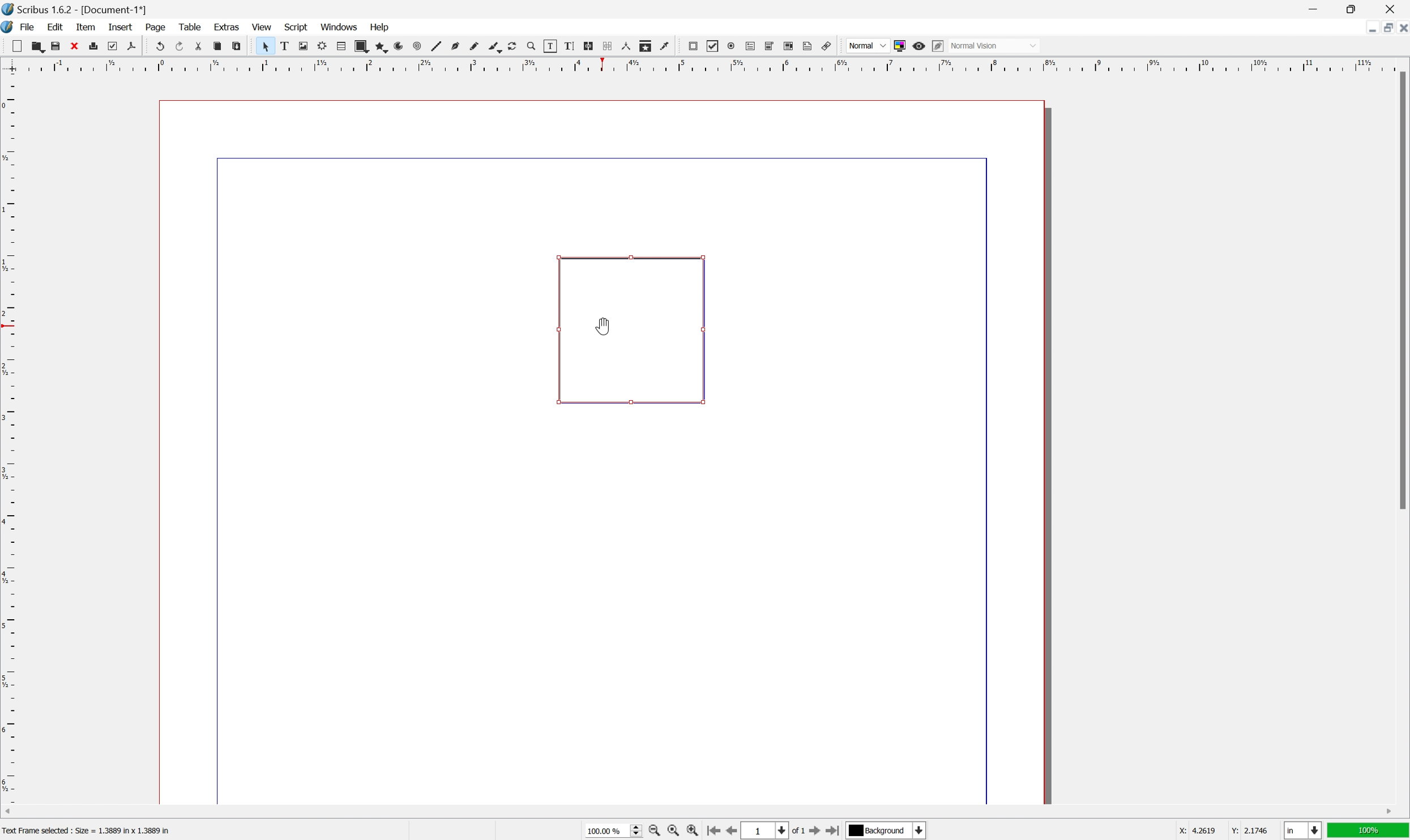 This screenshot has width=1410, height=840. What do you see at coordinates (113, 46) in the screenshot?
I see `preflight verifier` at bounding box center [113, 46].